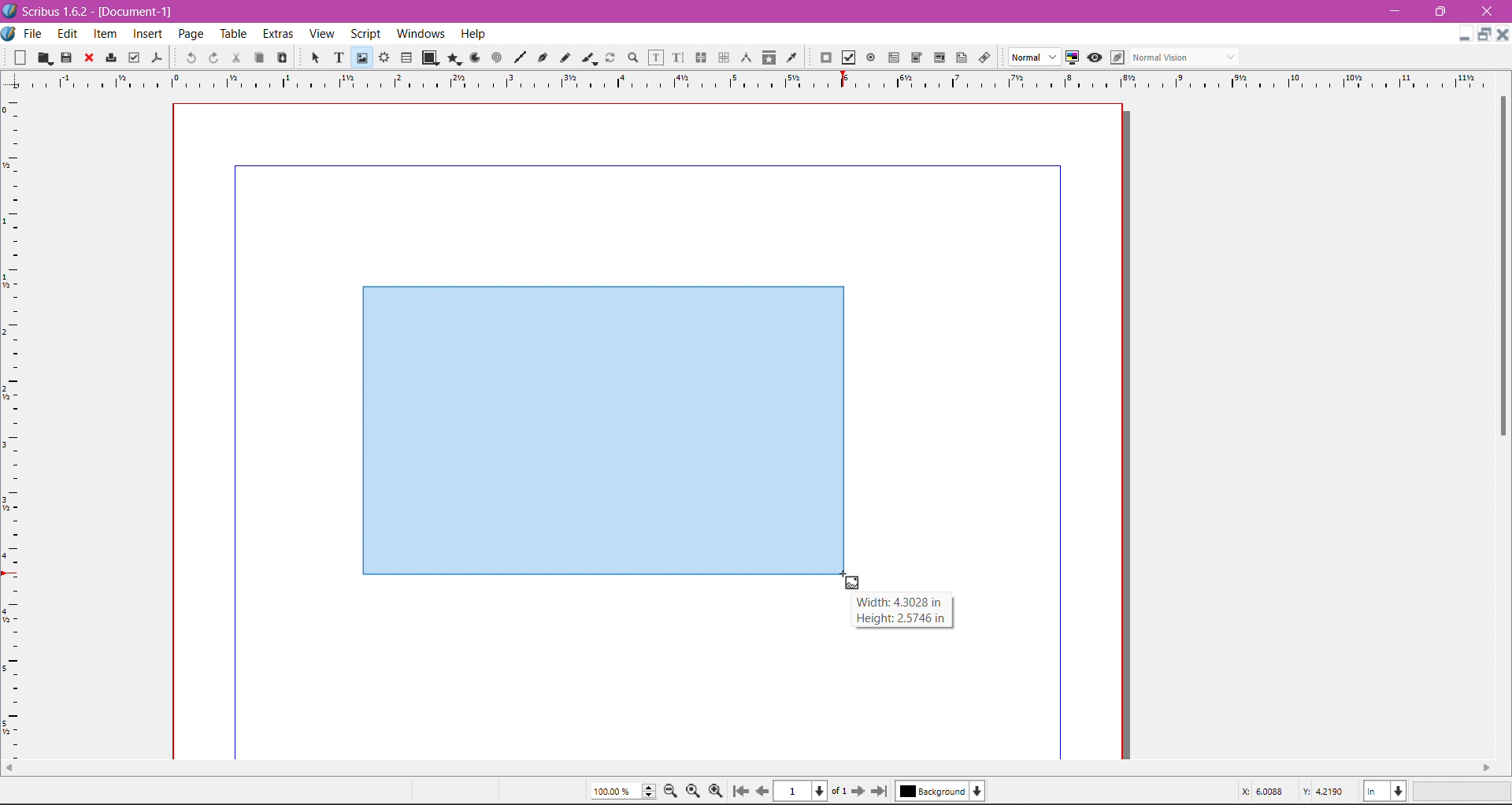  Describe the element at coordinates (89, 58) in the screenshot. I see `Close` at that location.